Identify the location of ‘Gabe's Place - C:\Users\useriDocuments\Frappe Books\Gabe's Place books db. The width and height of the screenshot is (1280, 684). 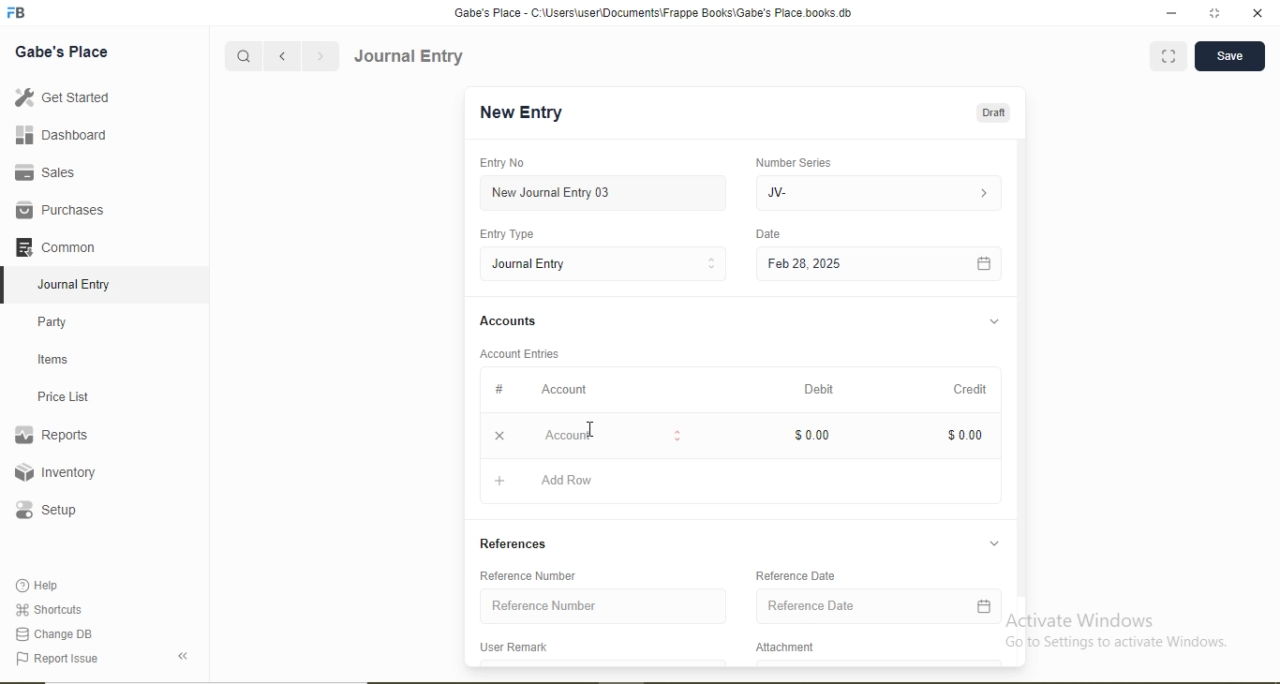
(652, 13).